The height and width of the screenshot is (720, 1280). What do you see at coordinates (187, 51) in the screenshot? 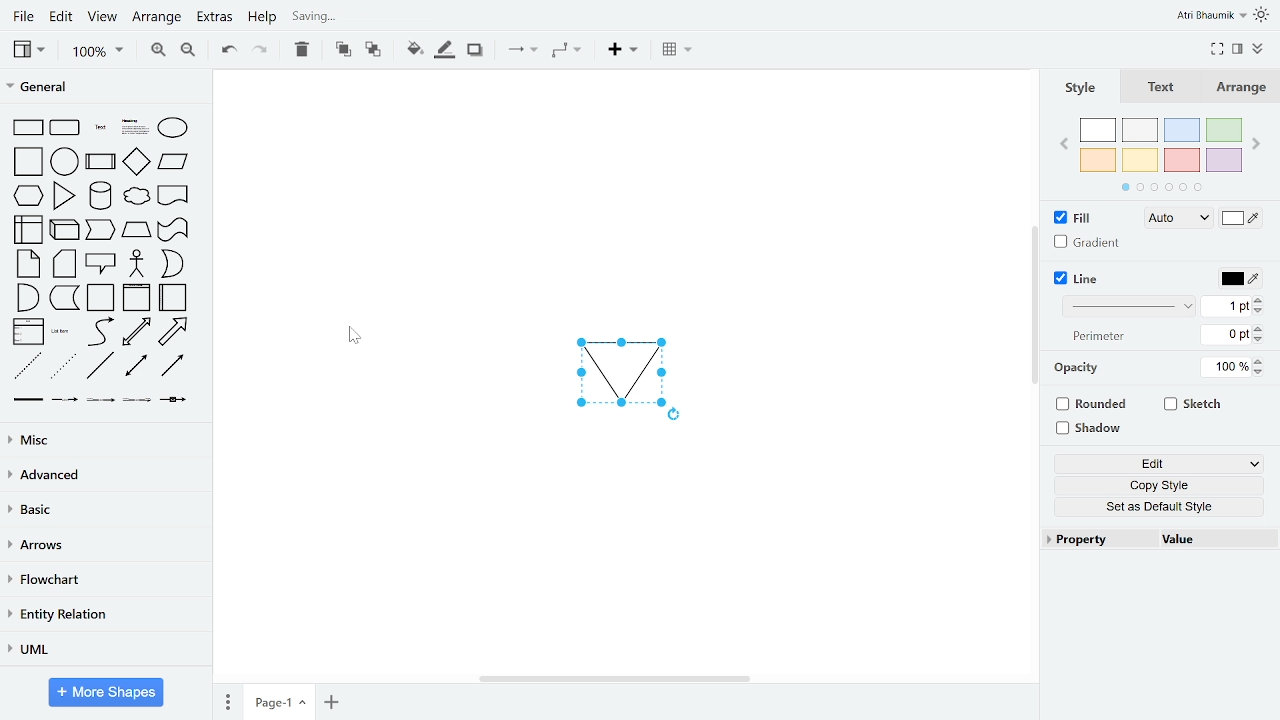
I see `zoom out` at bounding box center [187, 51].